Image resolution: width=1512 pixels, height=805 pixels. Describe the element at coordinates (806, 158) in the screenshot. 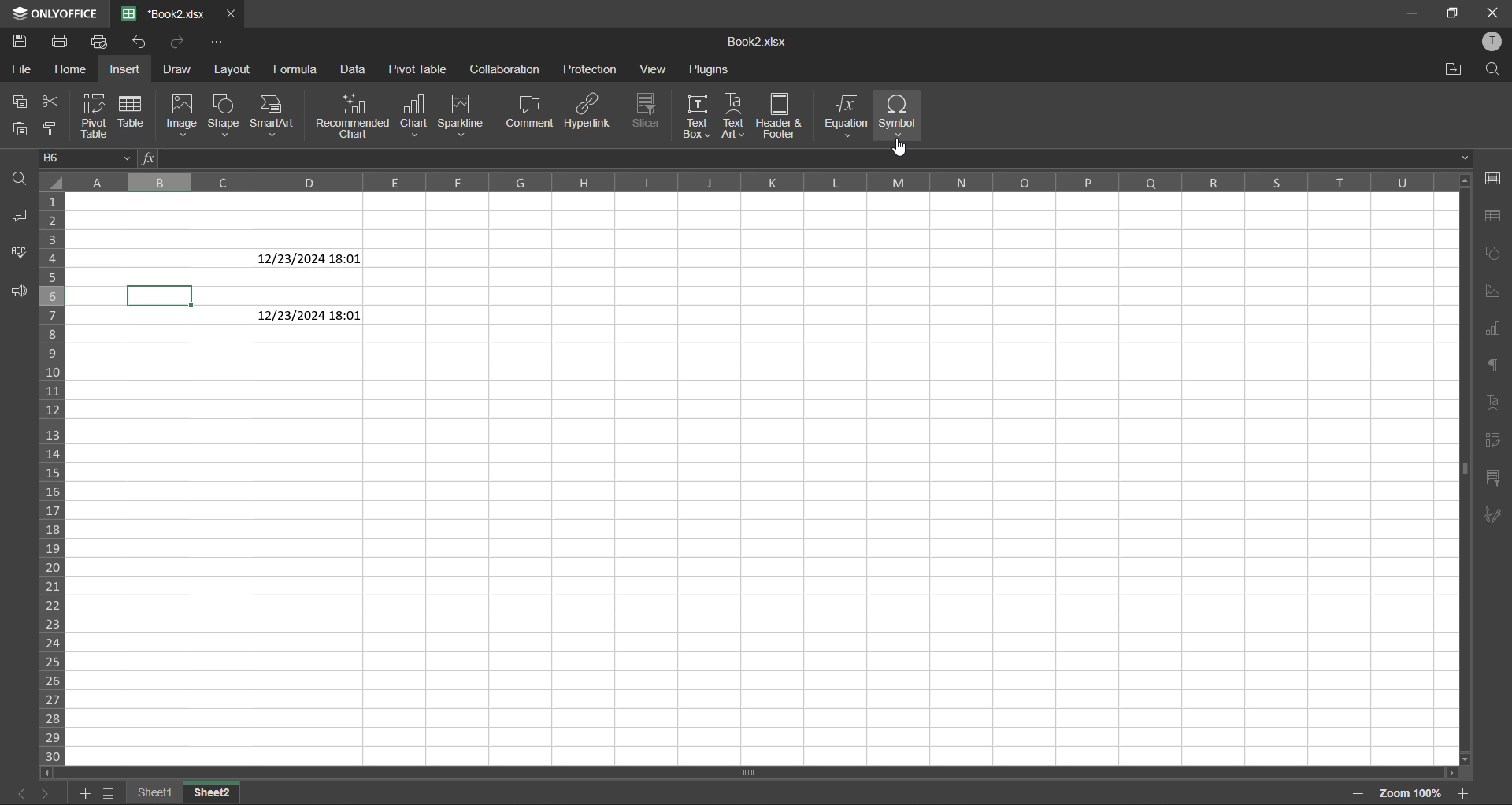

I see `formula bar` at that location.